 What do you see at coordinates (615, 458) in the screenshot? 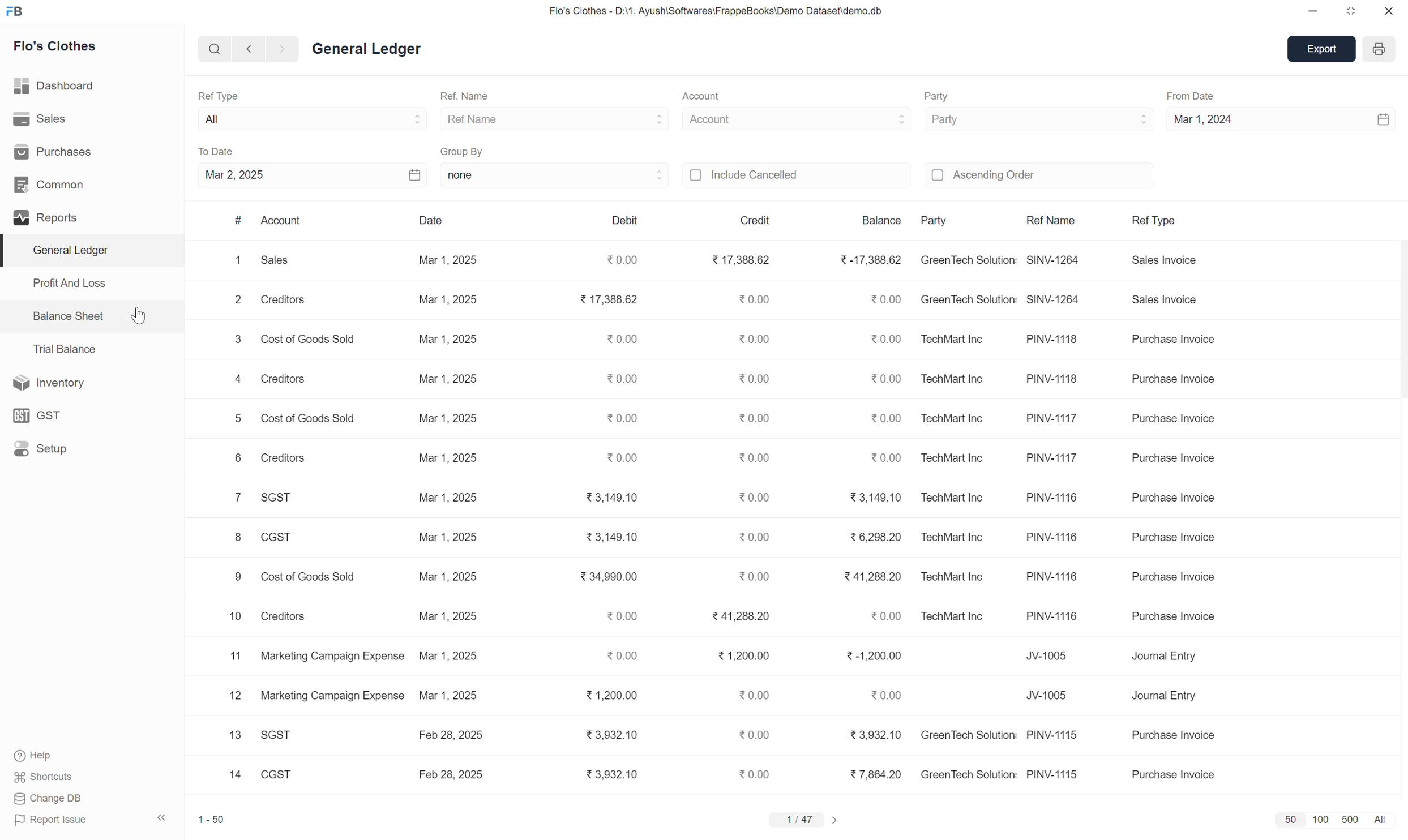
I see `0.00` at bounding box center [615, 458].